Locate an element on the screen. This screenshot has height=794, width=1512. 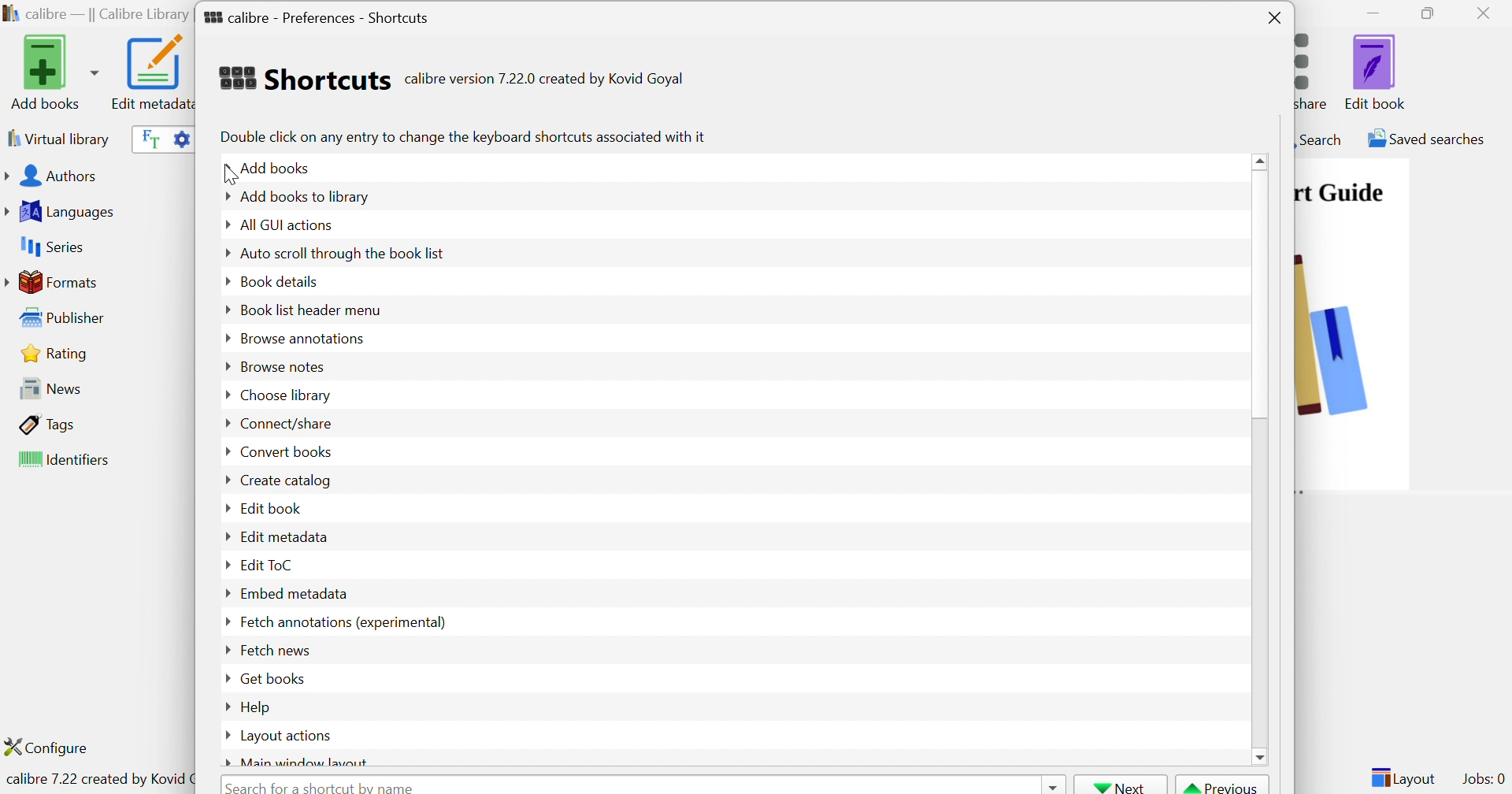
Drop Down is located at coordinates (224, 393).